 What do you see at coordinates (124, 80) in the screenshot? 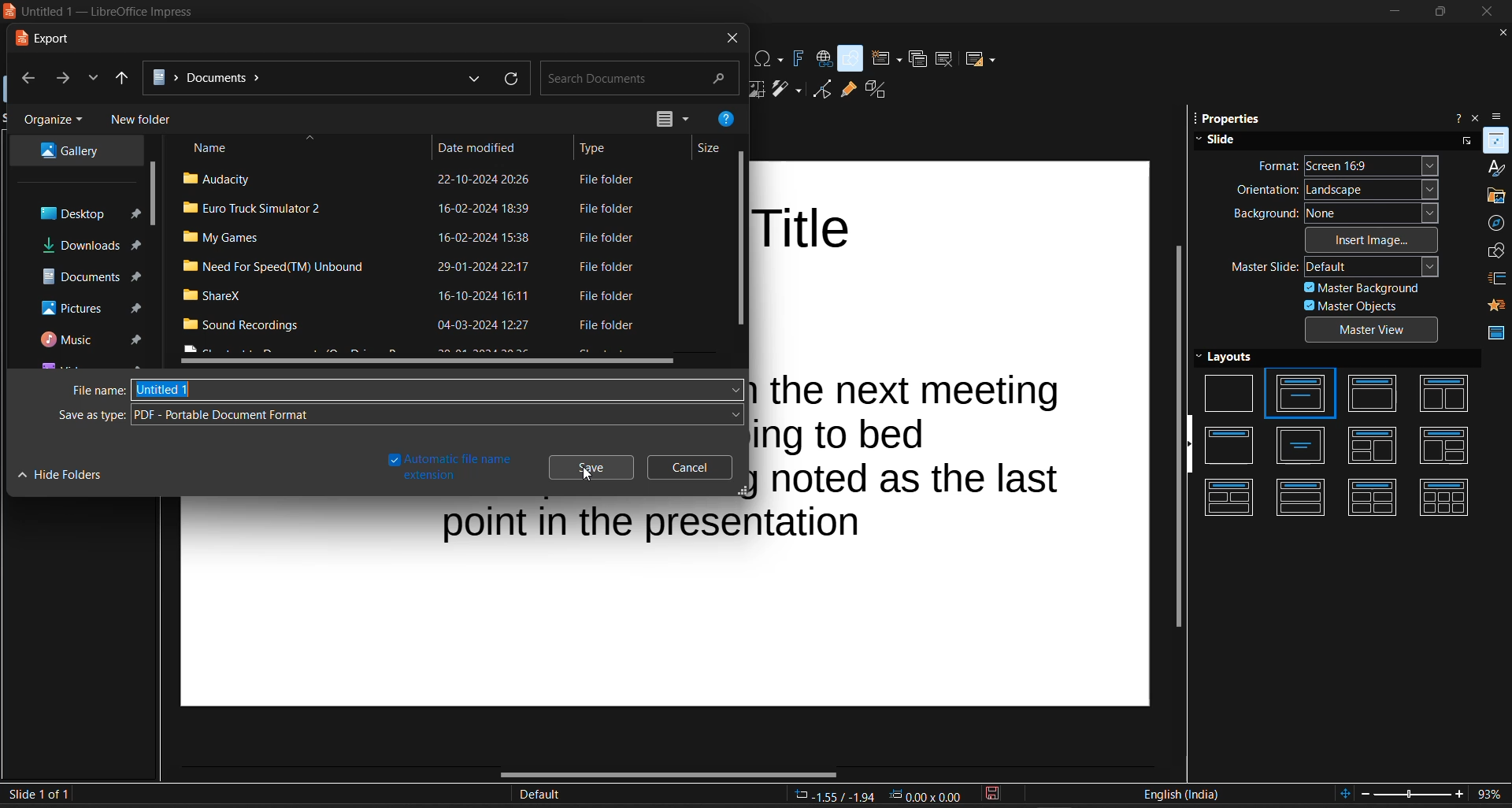
I see `up to desktop` at bounding box center [124, 80].